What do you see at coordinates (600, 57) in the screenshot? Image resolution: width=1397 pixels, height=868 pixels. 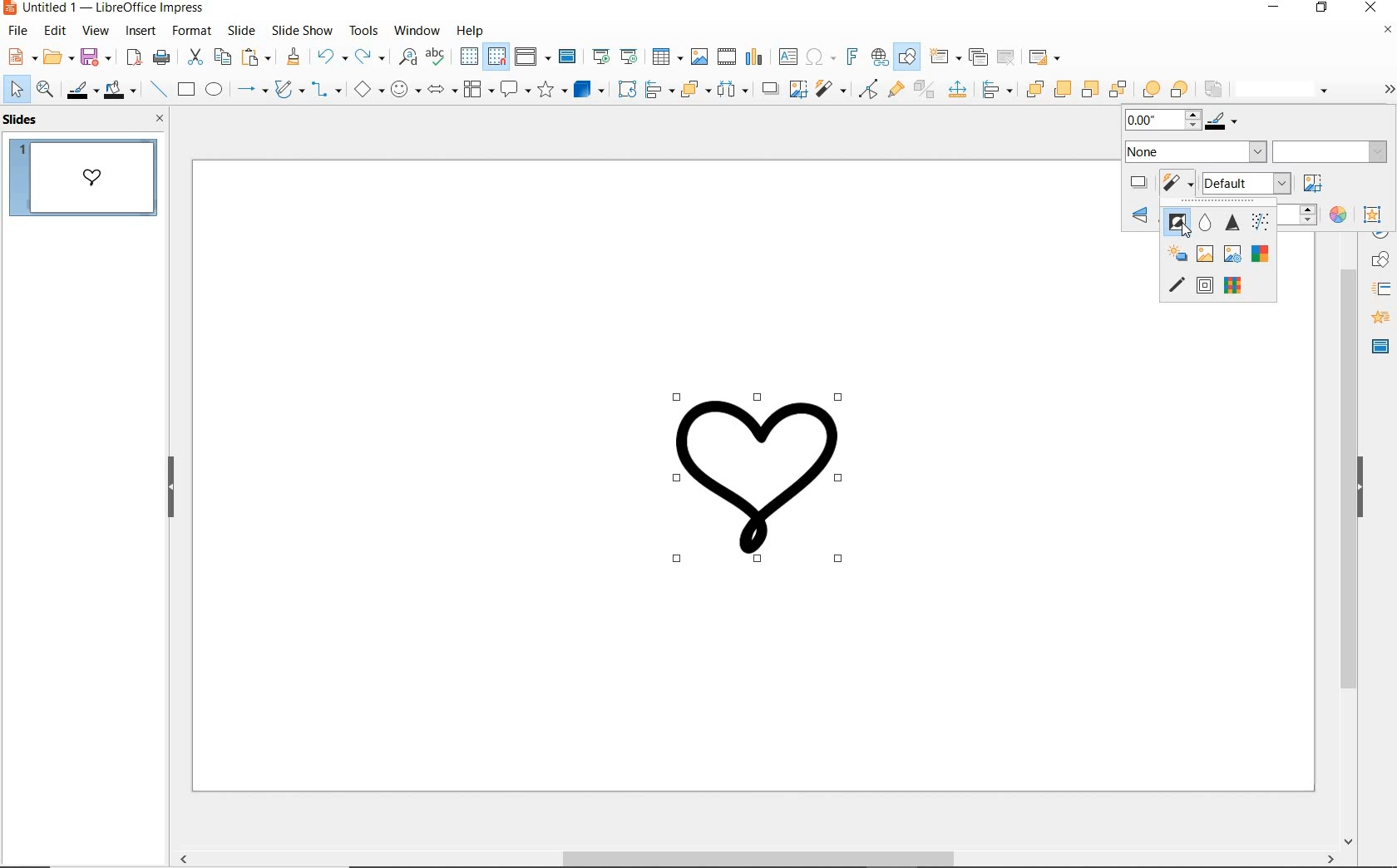 I see `start from first slide` at bounding box center [600, 57].